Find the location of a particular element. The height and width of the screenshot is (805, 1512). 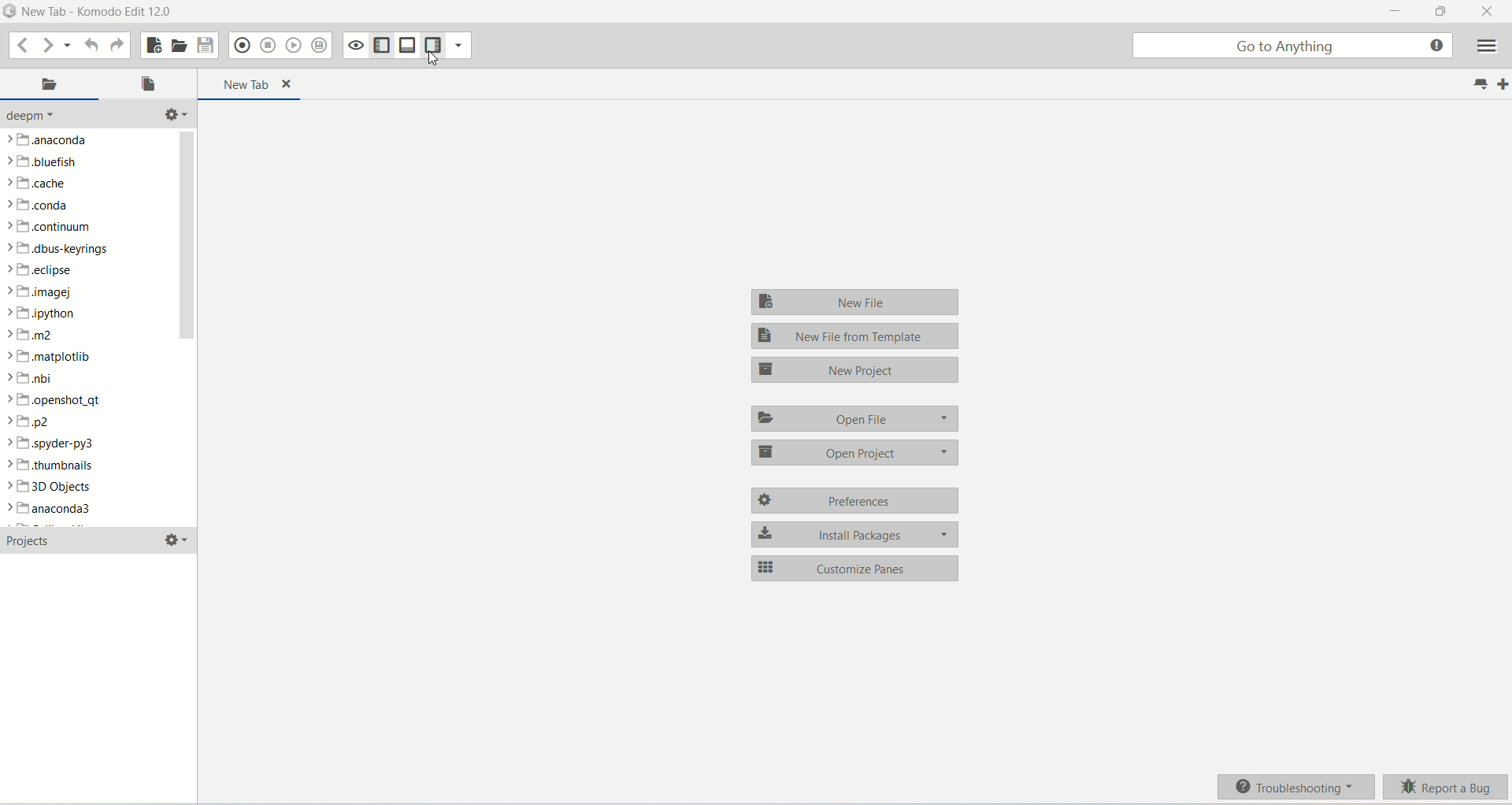

save macro to toolbox is located at coordinates (319, 46).